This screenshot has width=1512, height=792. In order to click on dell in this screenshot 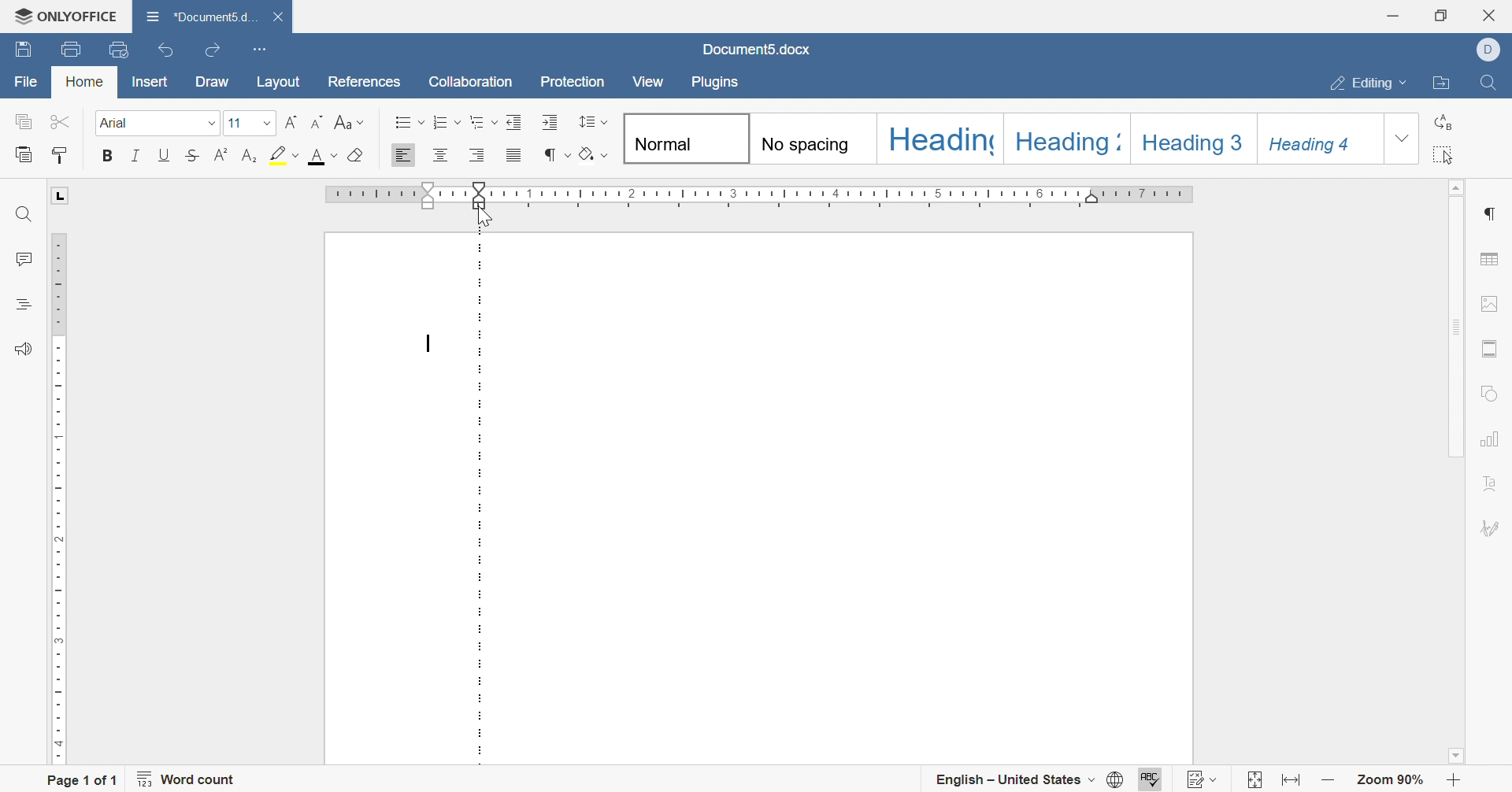, I will do `click(1488, 47)`.